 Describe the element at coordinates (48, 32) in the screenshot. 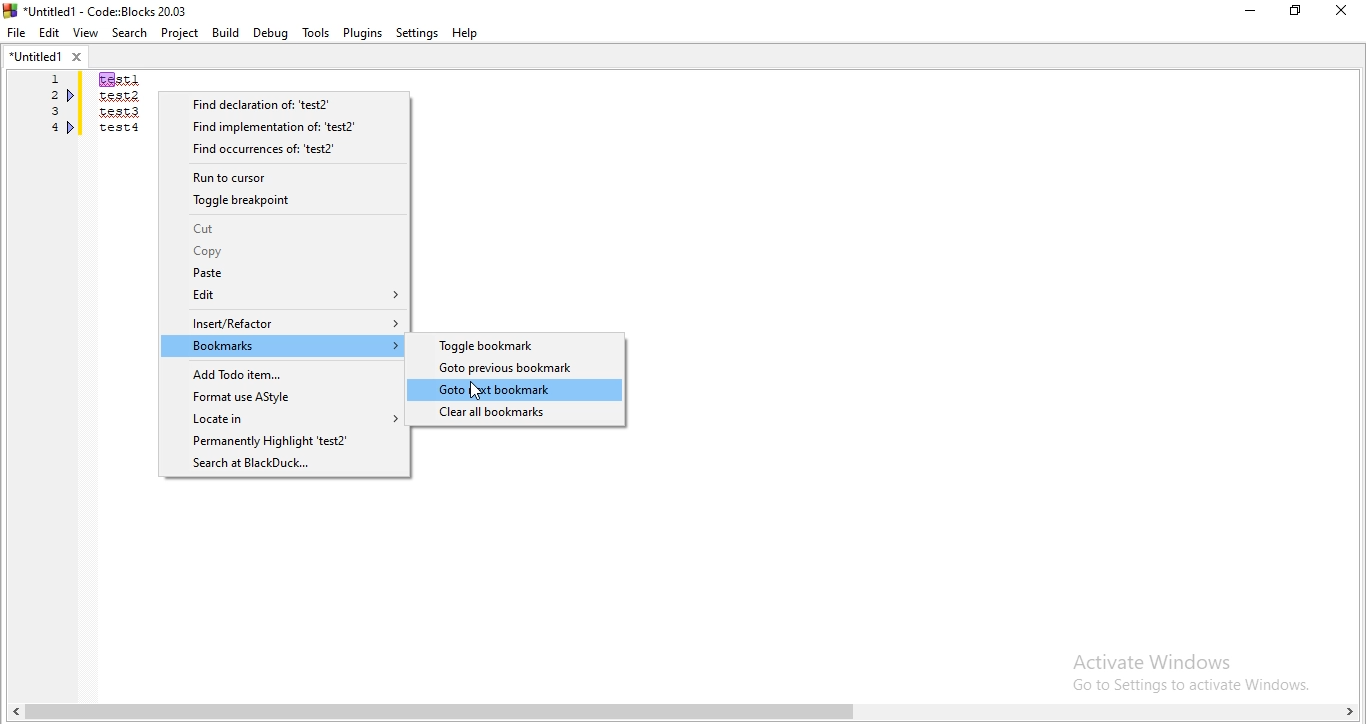

I see `Edit ` at that location.